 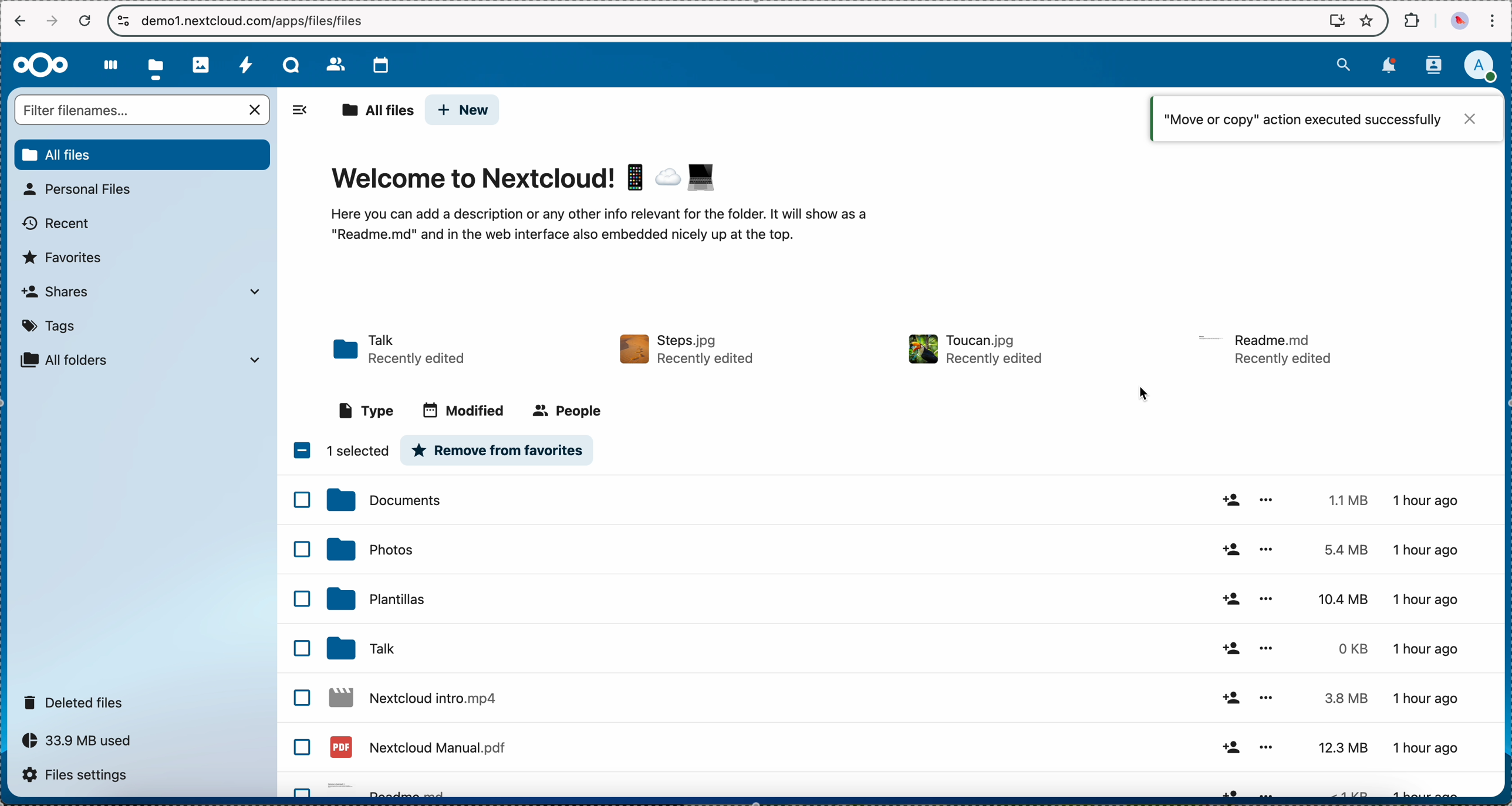 What do you see at coordinates (141, 292) in the screenshot?
I see `shares` at bounding box center [141, 292].